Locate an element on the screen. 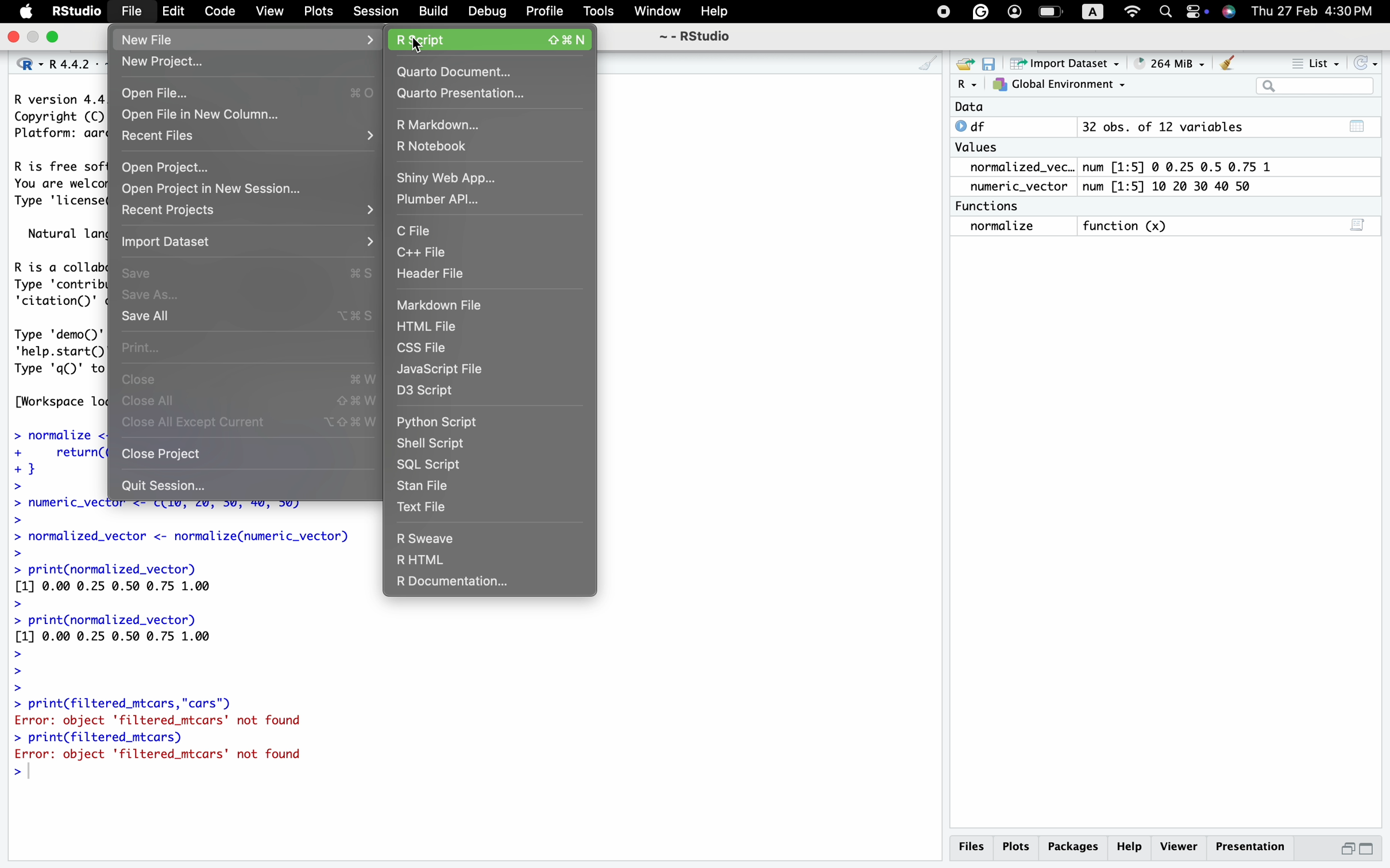  import dataset is located at coordinates (1072, 64).